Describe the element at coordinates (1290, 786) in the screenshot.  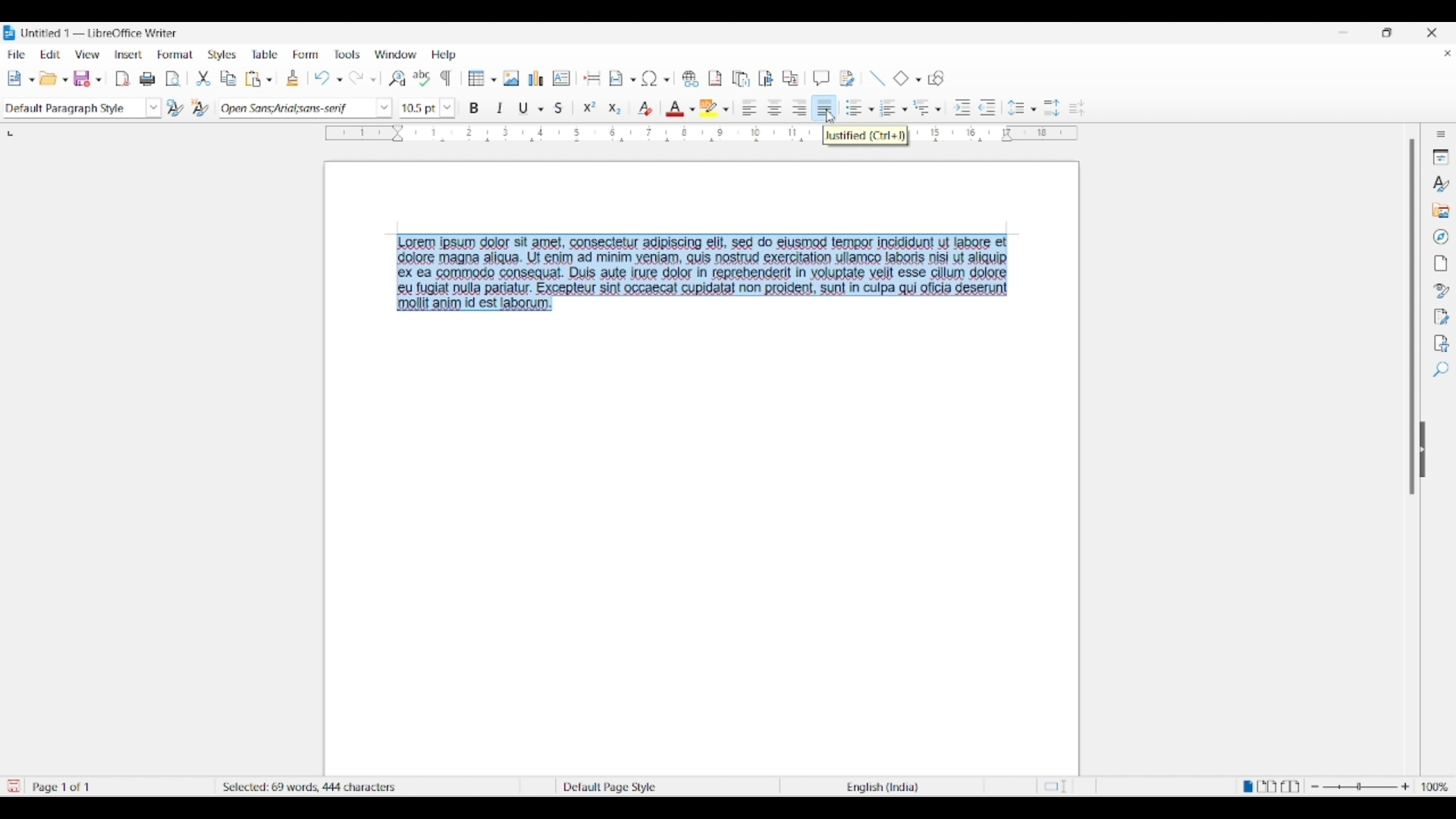
I see `Book view` at that location.